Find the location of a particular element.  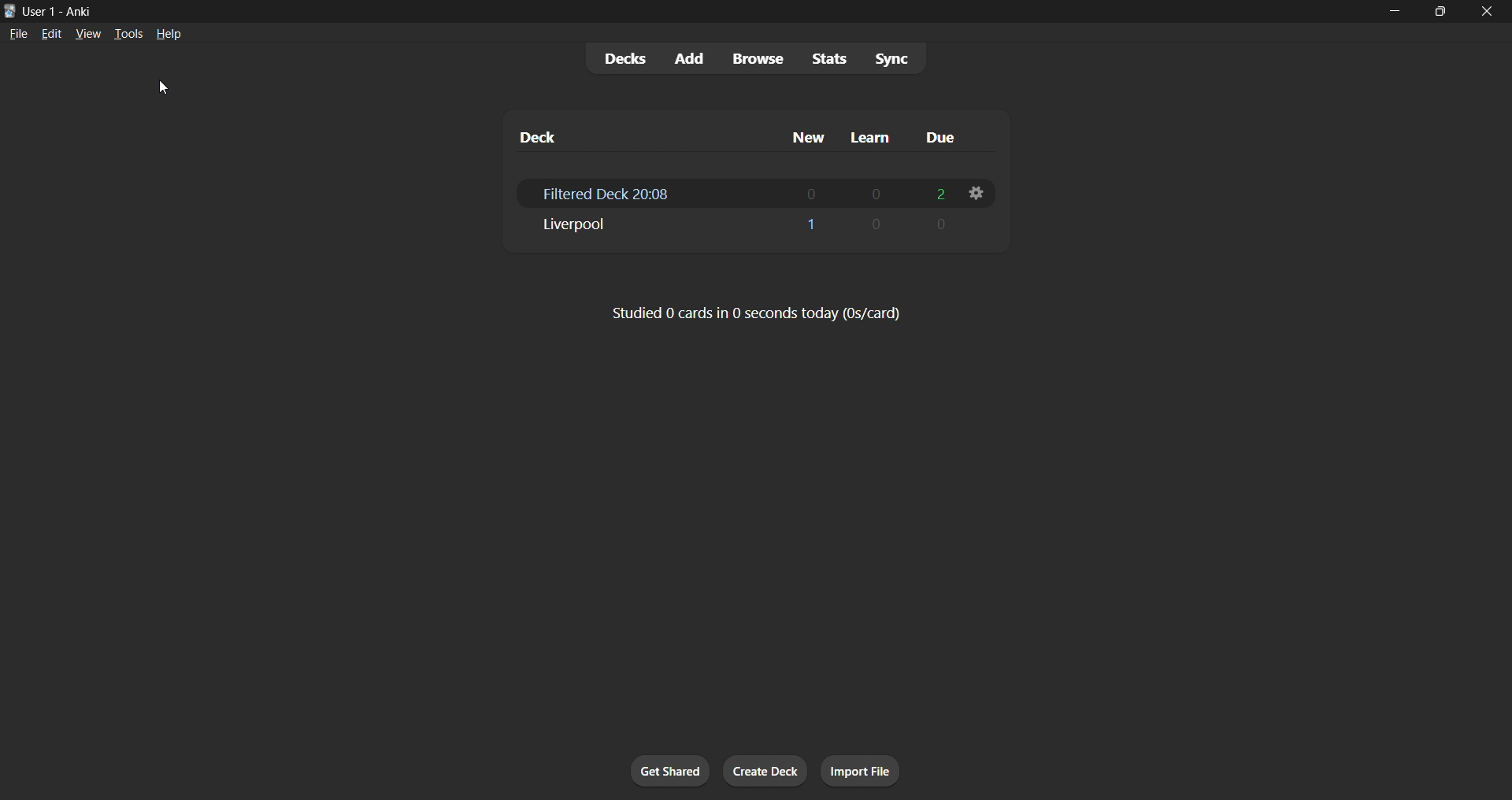

edit is located at coordinates (48, 34).